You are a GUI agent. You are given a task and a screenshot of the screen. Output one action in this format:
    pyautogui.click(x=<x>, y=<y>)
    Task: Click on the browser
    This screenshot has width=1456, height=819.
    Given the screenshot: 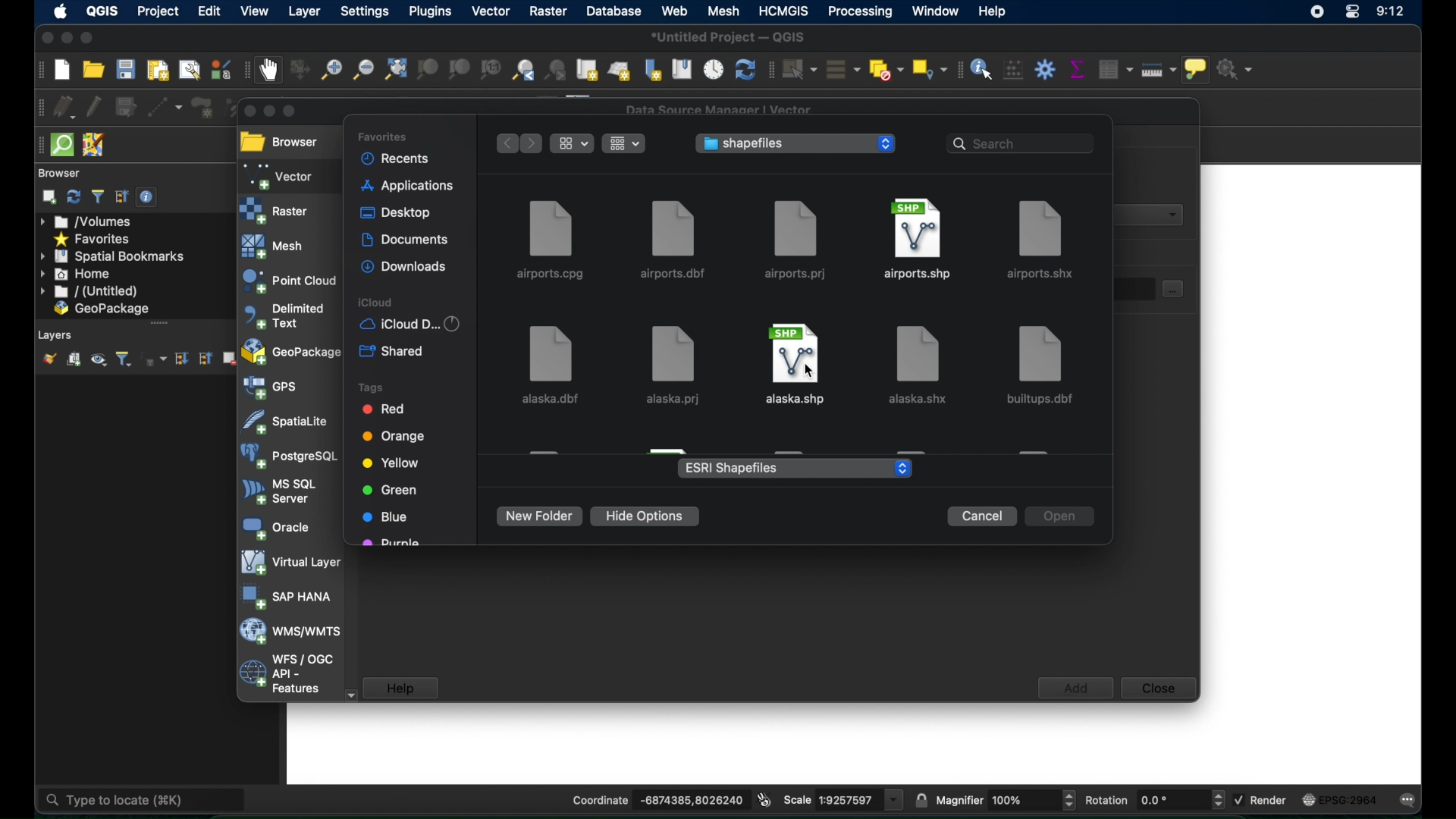 What is the action you would take?
    pyautogui.click(x=279, y=143)
    